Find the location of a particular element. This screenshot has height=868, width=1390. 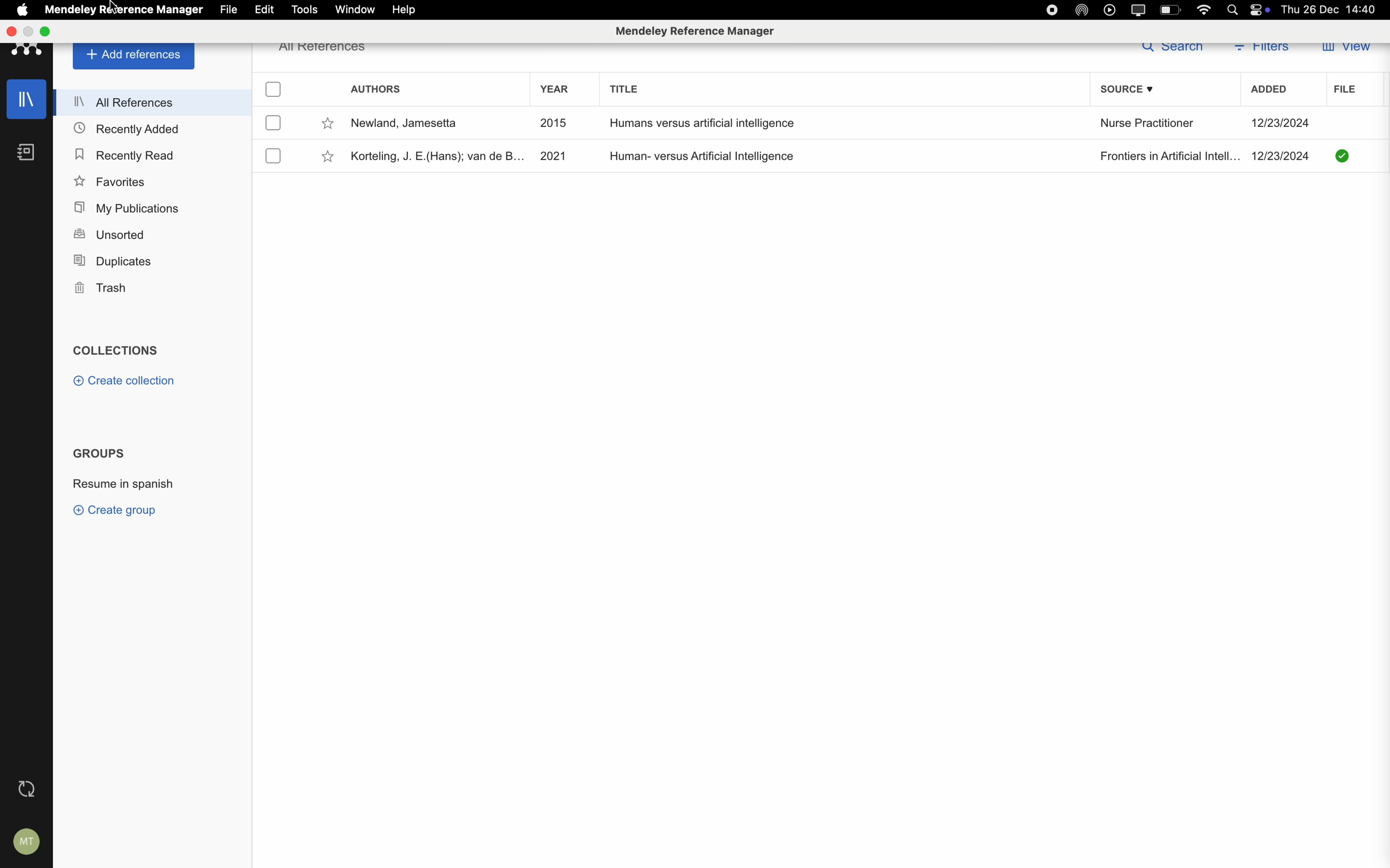

edit is located at coordinates (265, 10).